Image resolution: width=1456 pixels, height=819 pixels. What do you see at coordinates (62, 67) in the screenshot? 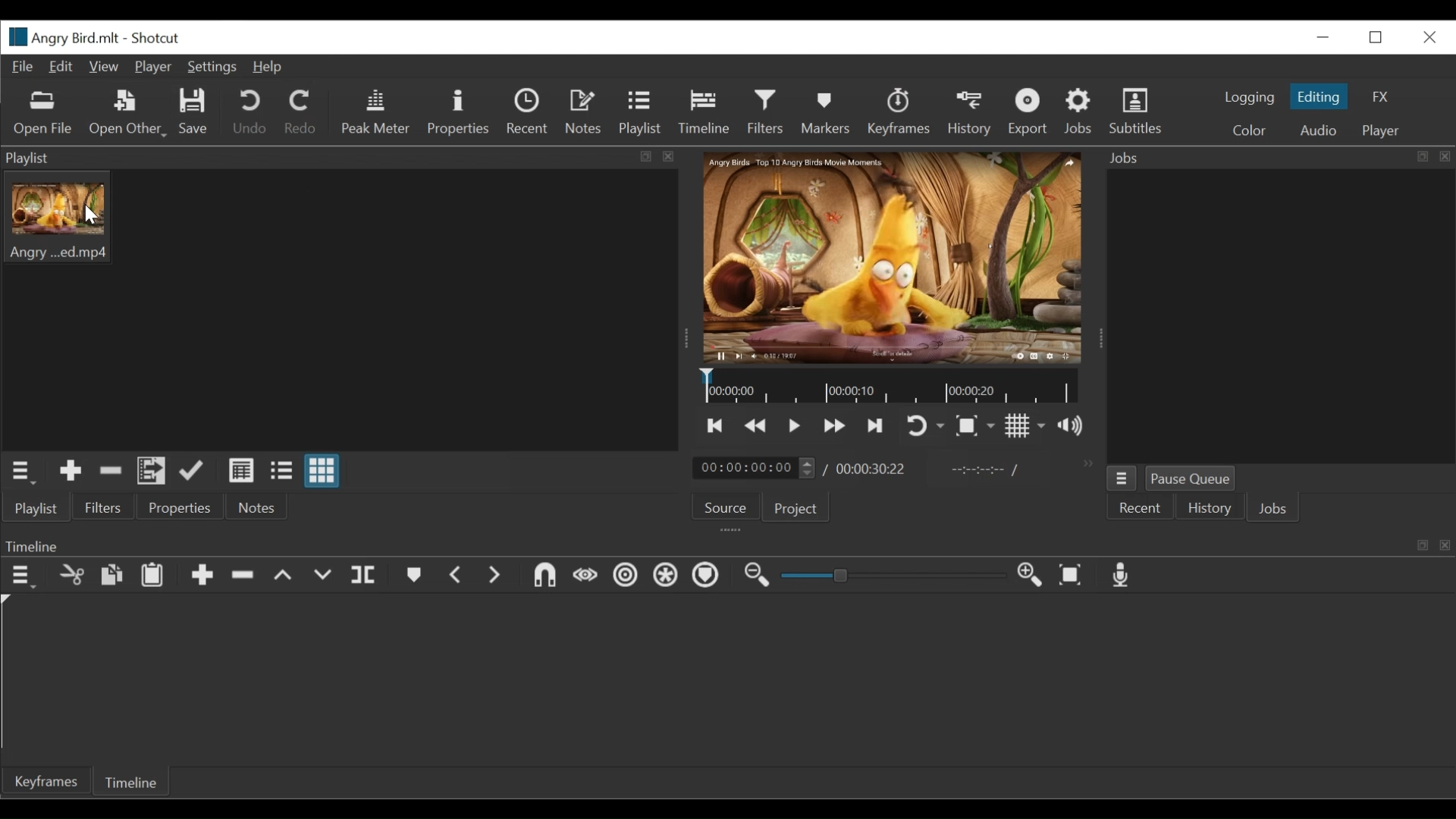
I see `Edit` at bounding box center [62, 67].